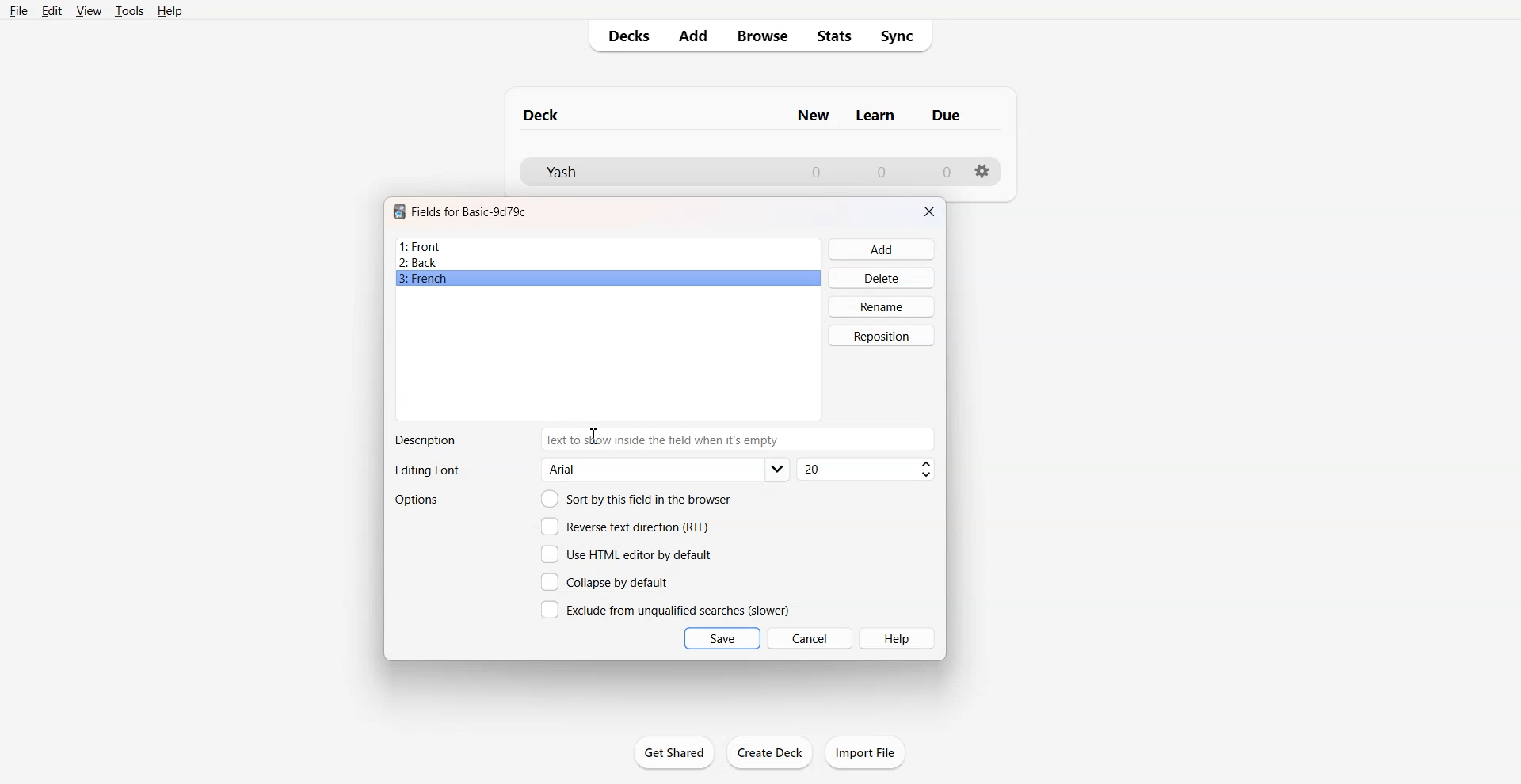 Image resolution: width=1521 pixels, height=784 pixels. What do you see at coordinates (902, 36) in the screenshot?
I see `Sync` at bounding box center [902, 36].